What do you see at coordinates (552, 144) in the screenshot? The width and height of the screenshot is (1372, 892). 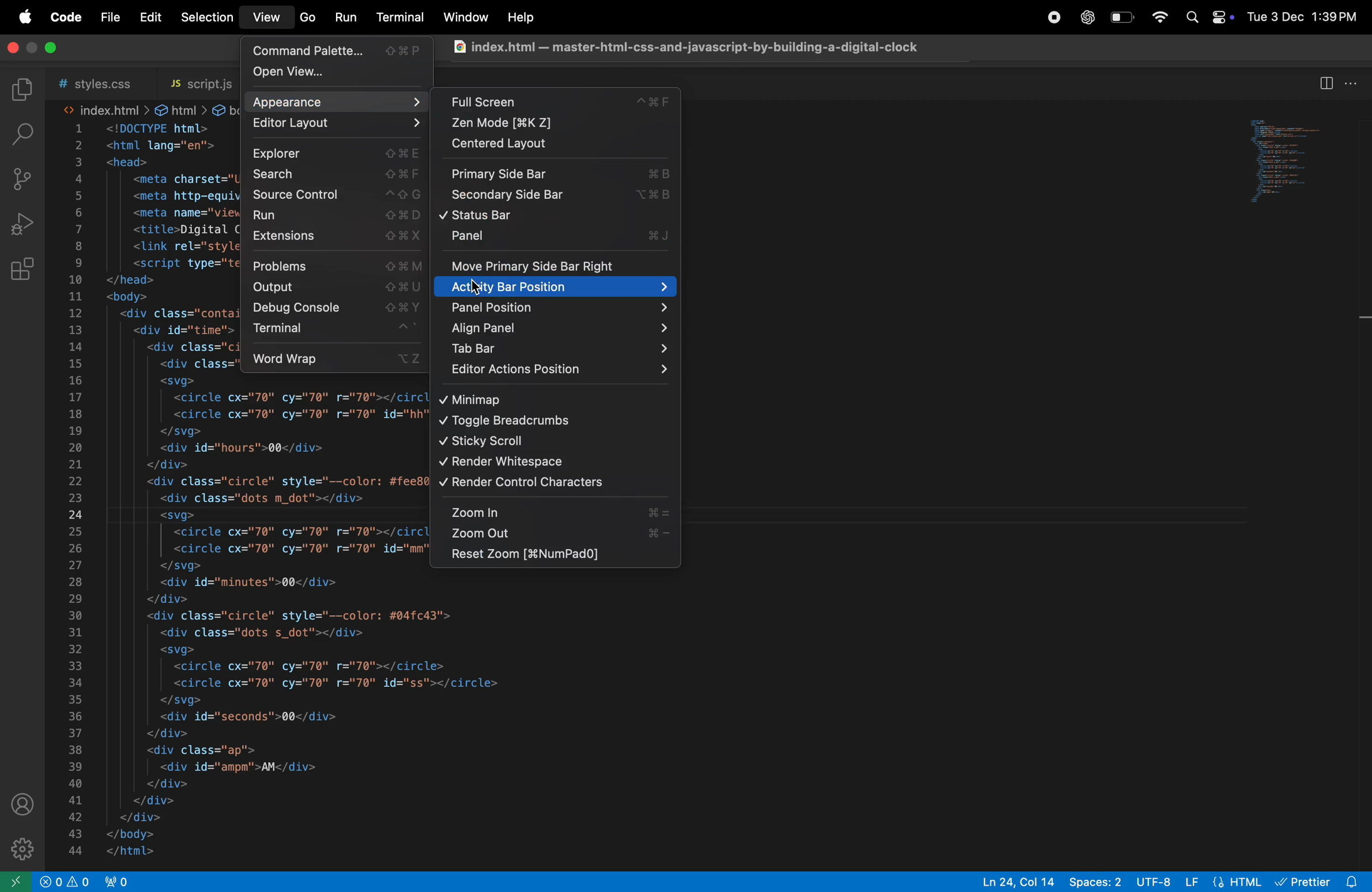 I see `centered layout` at bounding box center [552, 144].